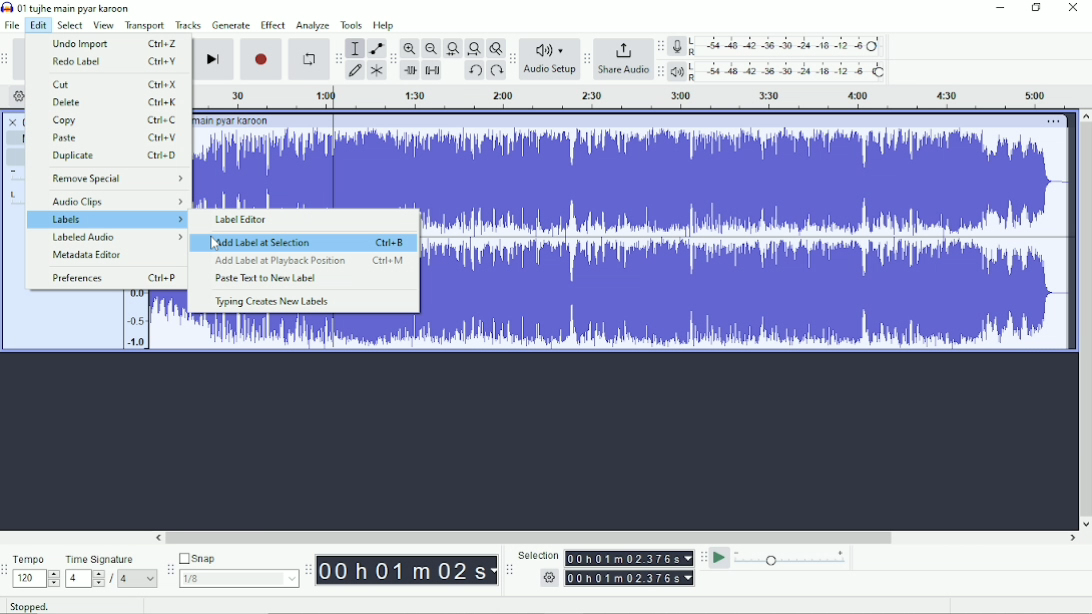  What do you see at coordinates (509, 570) in the screenshot?
I see `Audacity selection toolbar` at bounding box center [509, 570].